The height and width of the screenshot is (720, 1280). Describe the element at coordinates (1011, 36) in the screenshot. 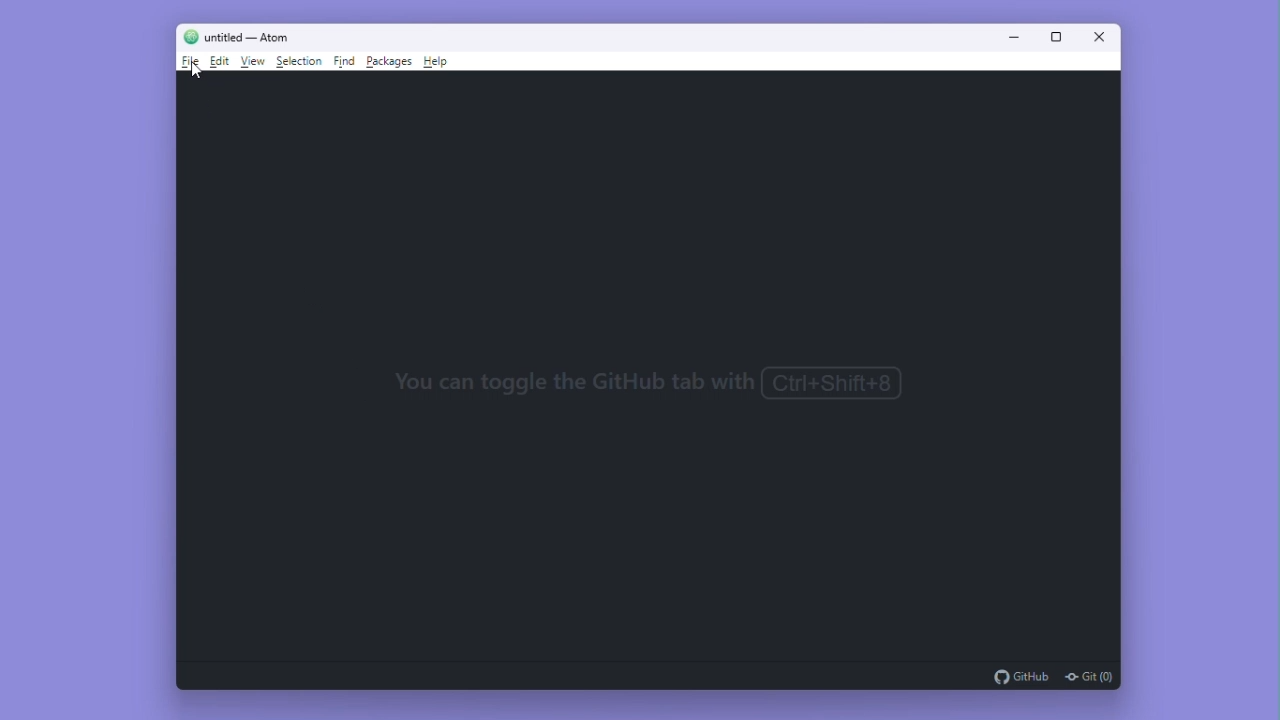

I see `Minimise` at that location.